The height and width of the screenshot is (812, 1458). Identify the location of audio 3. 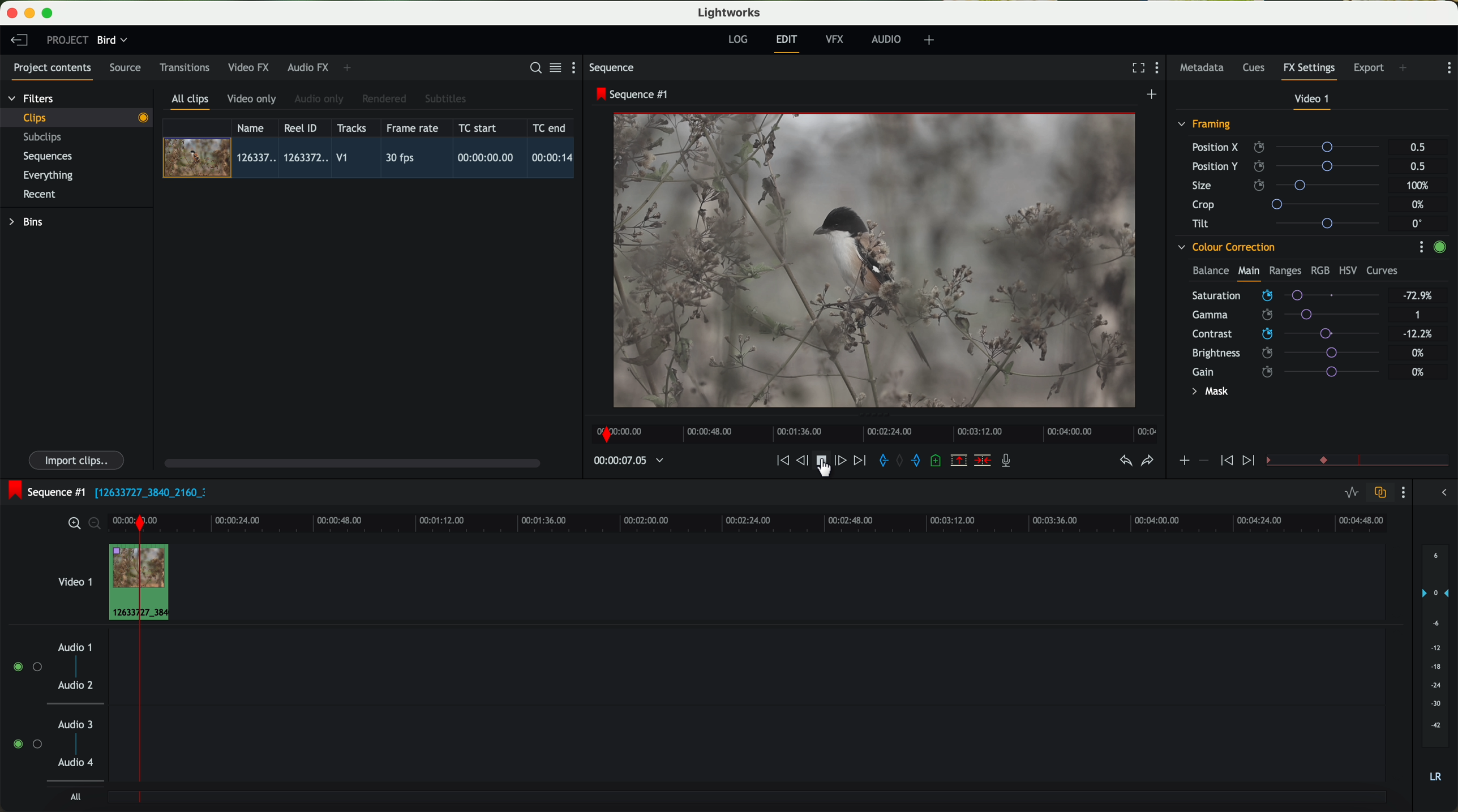
(70, 724).